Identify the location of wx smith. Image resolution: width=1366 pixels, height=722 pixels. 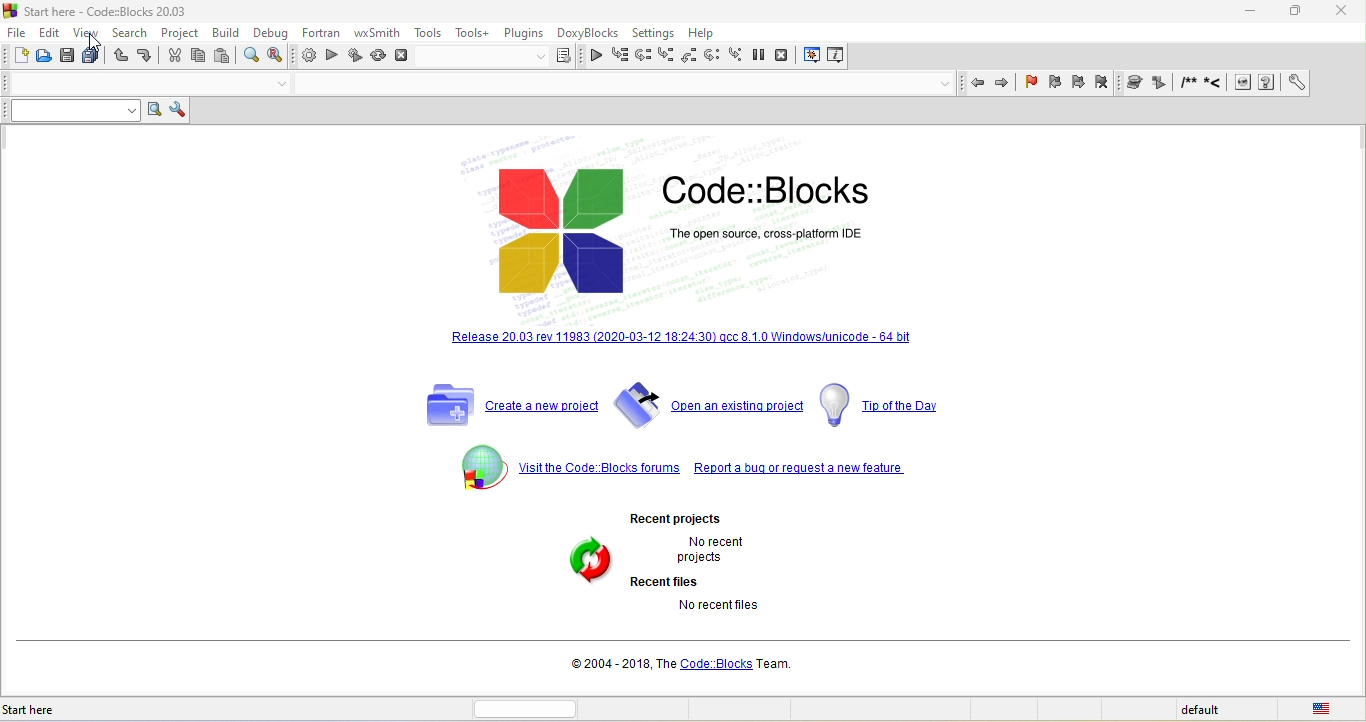
(375, 33).